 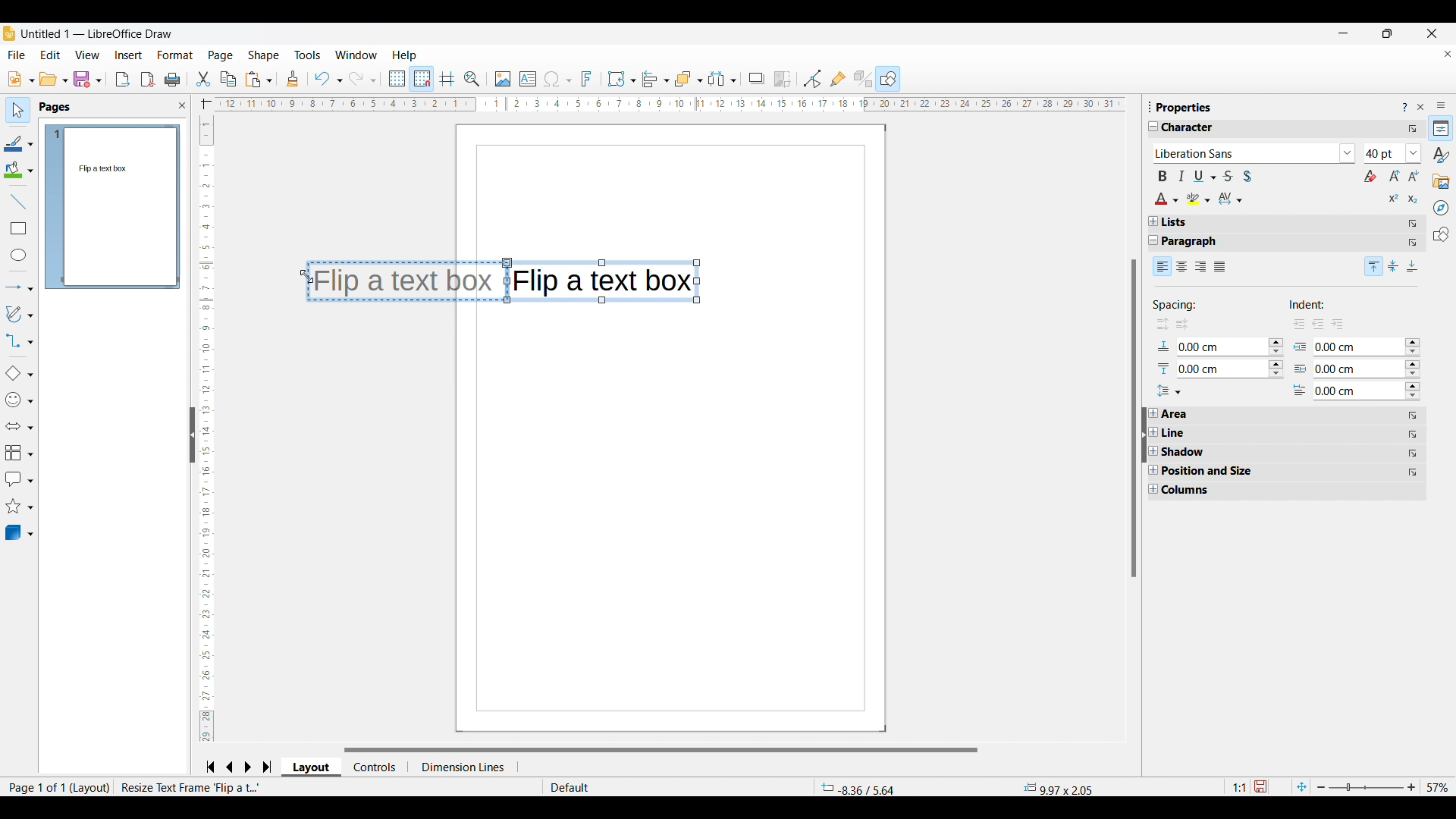 What do you see at coordinates (1414, 370) in the screenshot?
I see `Change respective indent option` at bounding box center [1414, 370].